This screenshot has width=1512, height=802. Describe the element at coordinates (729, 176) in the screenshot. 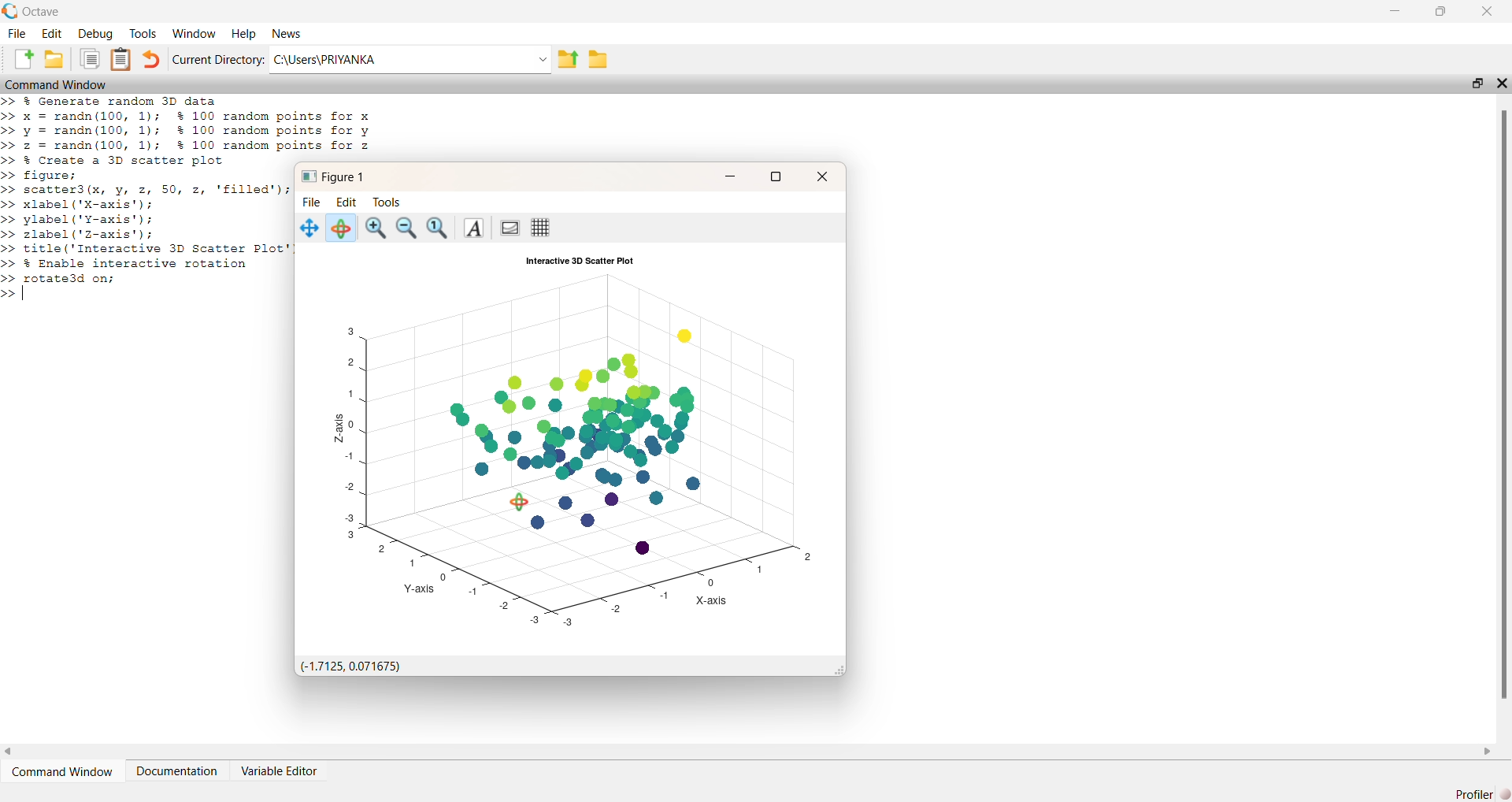

I see `minimize` at that location.